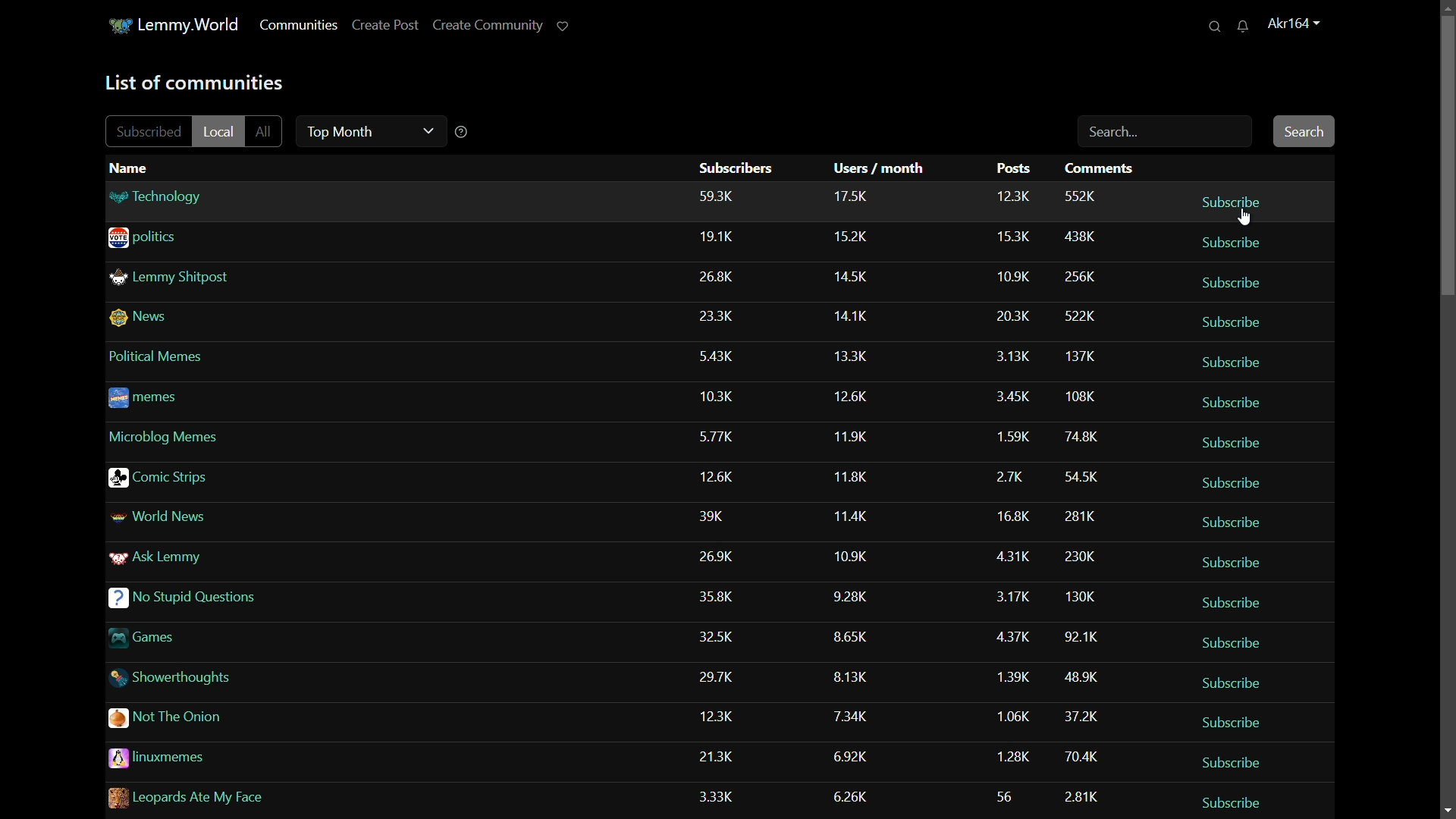 This screenshot has height=819, width=1456. What do you see at coordinates (244, 478) in the screenshot?
I see `communities name` at bounding box center [244, 478].